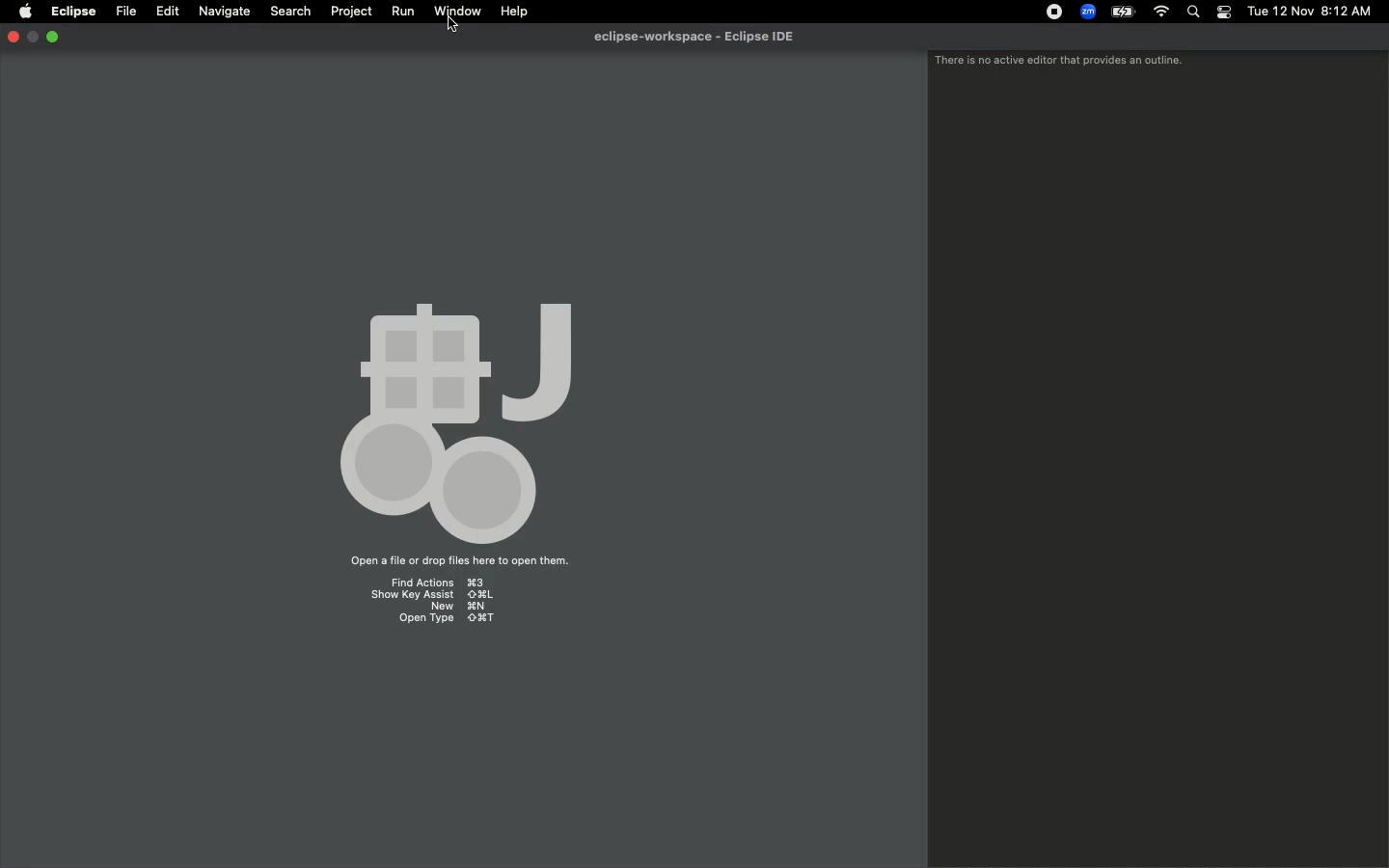 The height and width of the screenshot is (868, 1389). I want to click on Notification, so click(1223, 13).